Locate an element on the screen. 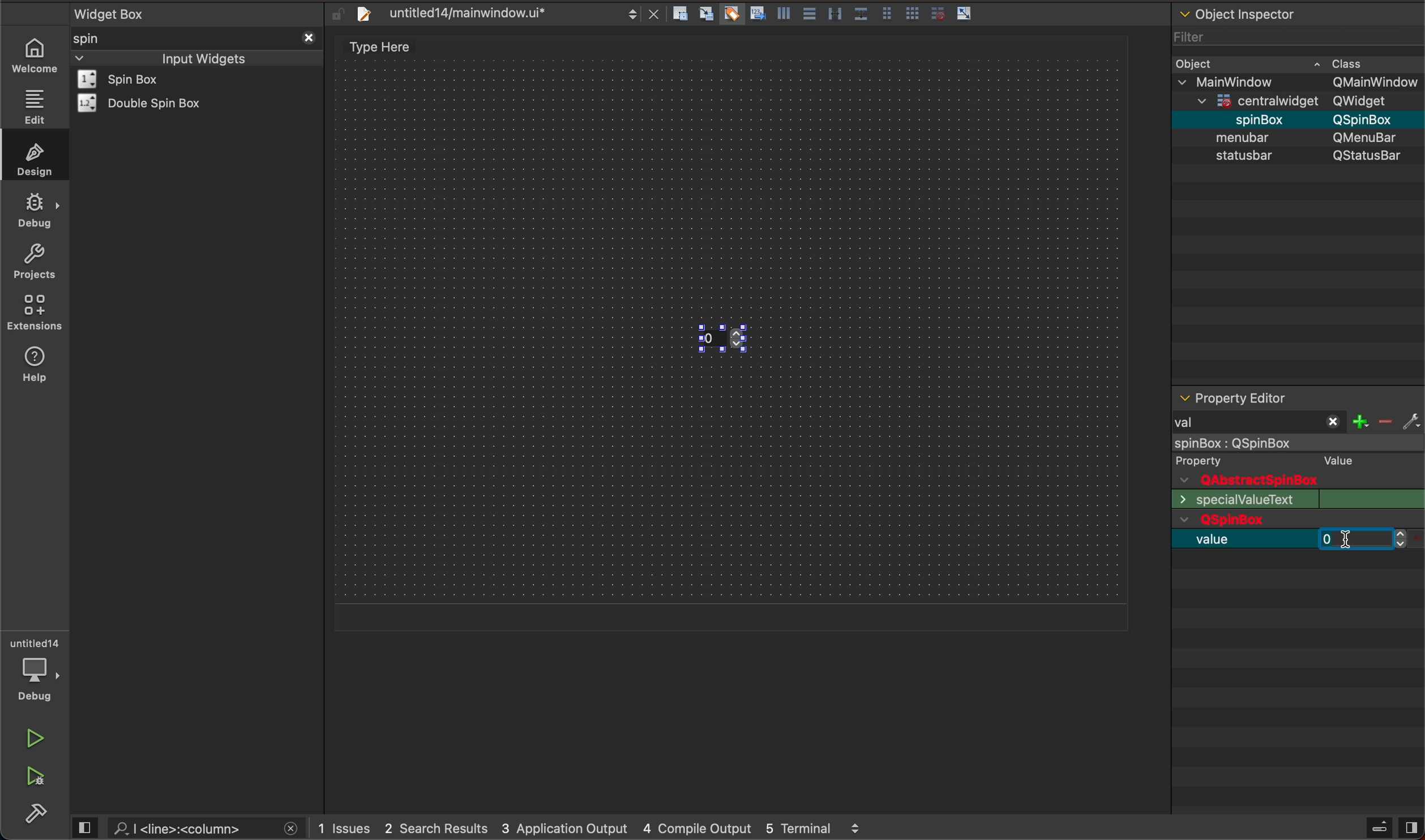 This screenshot has width=1425, height=840. projects is located at coordinates (33, 261).